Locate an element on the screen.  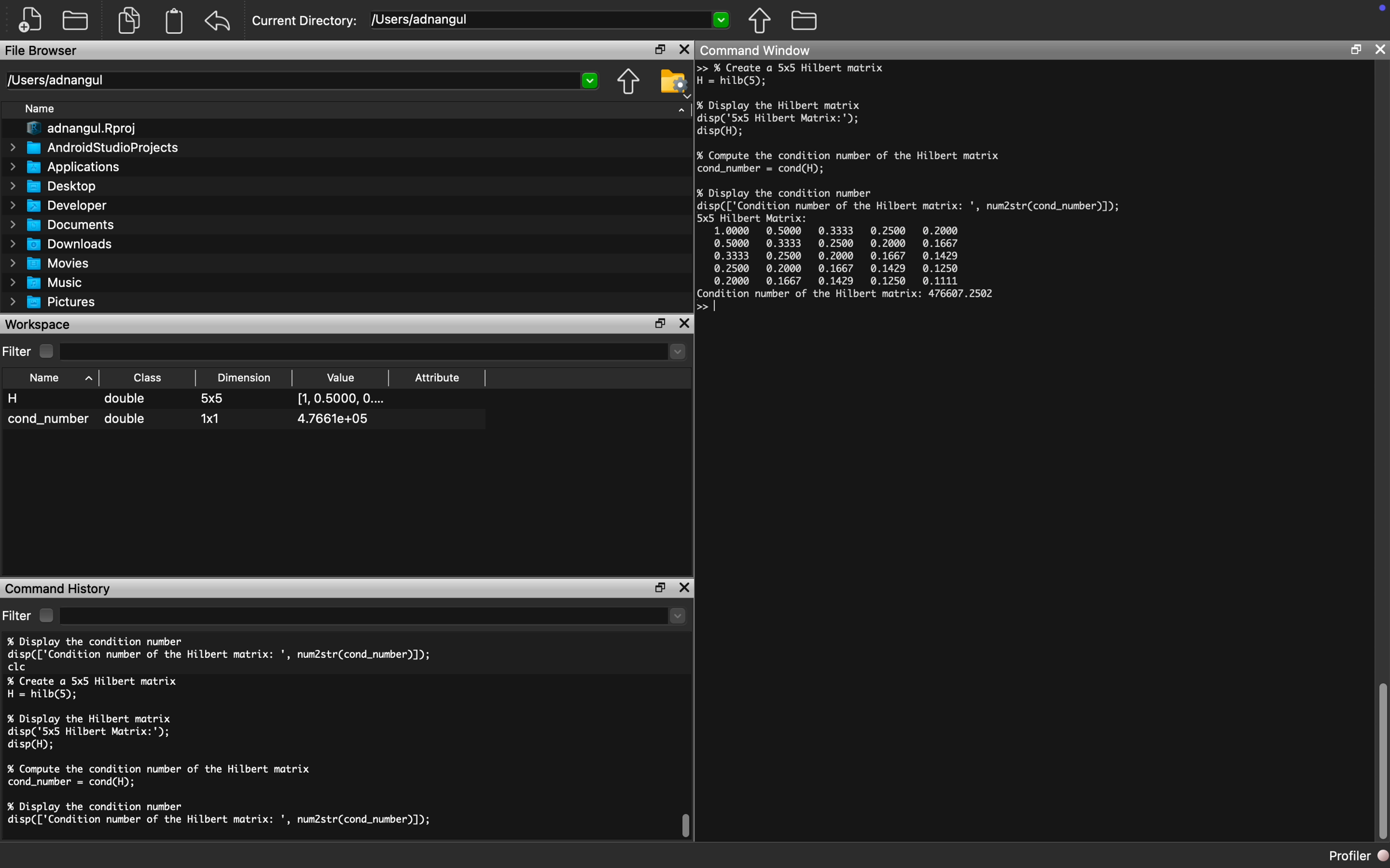
H double 5x5 [1,0.5000, O.... is located at coordinates (199, 400).